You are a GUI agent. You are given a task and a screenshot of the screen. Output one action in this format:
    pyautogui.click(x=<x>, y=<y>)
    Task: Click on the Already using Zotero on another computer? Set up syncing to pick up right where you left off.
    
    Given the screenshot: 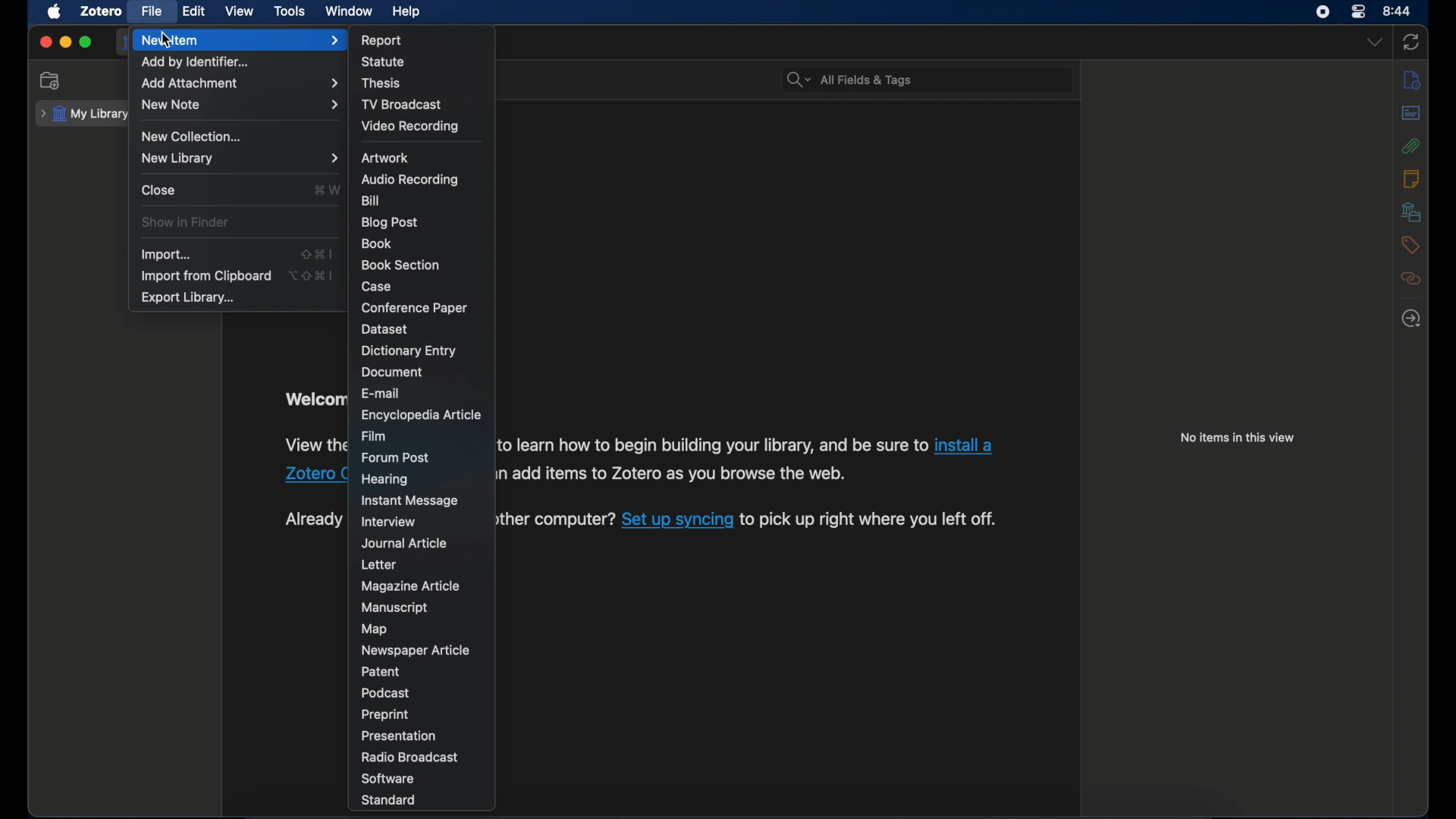 What is the action you would take?
    pyautogui.click(x=555, y=520)
    